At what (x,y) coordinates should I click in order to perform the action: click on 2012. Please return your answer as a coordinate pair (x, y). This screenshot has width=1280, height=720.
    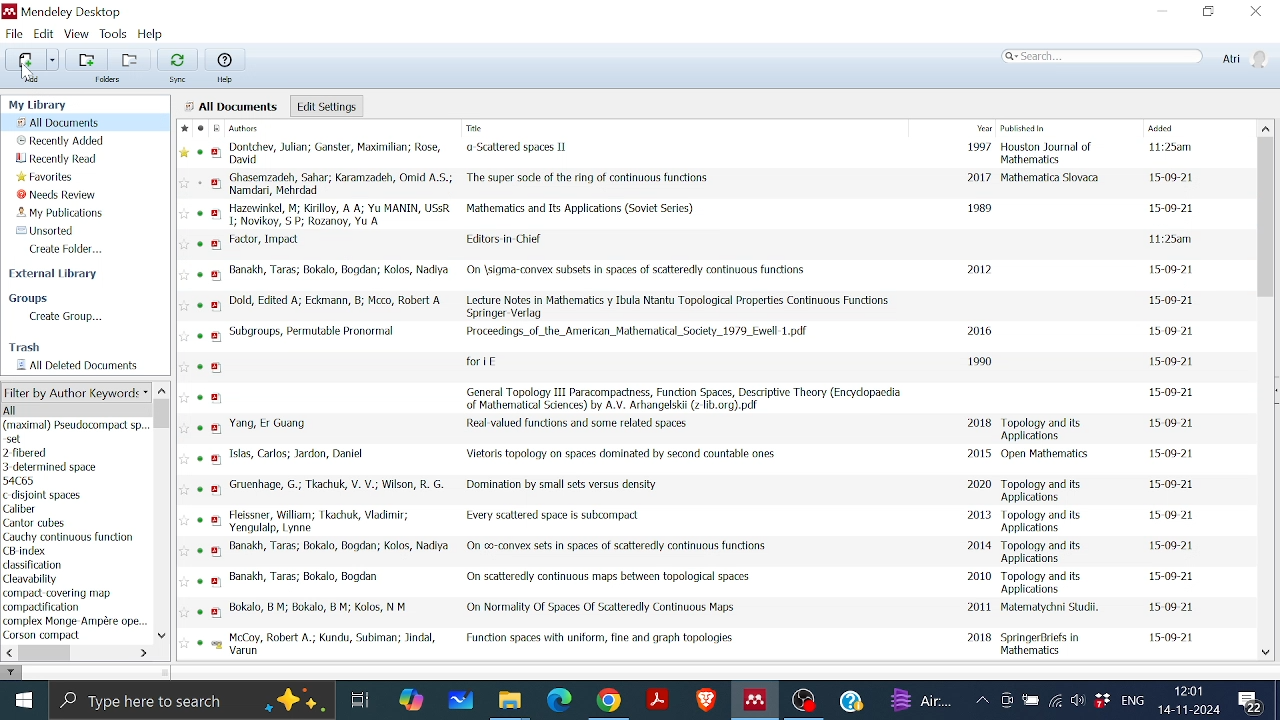
    Looking at the image, I should click on (977, 270).